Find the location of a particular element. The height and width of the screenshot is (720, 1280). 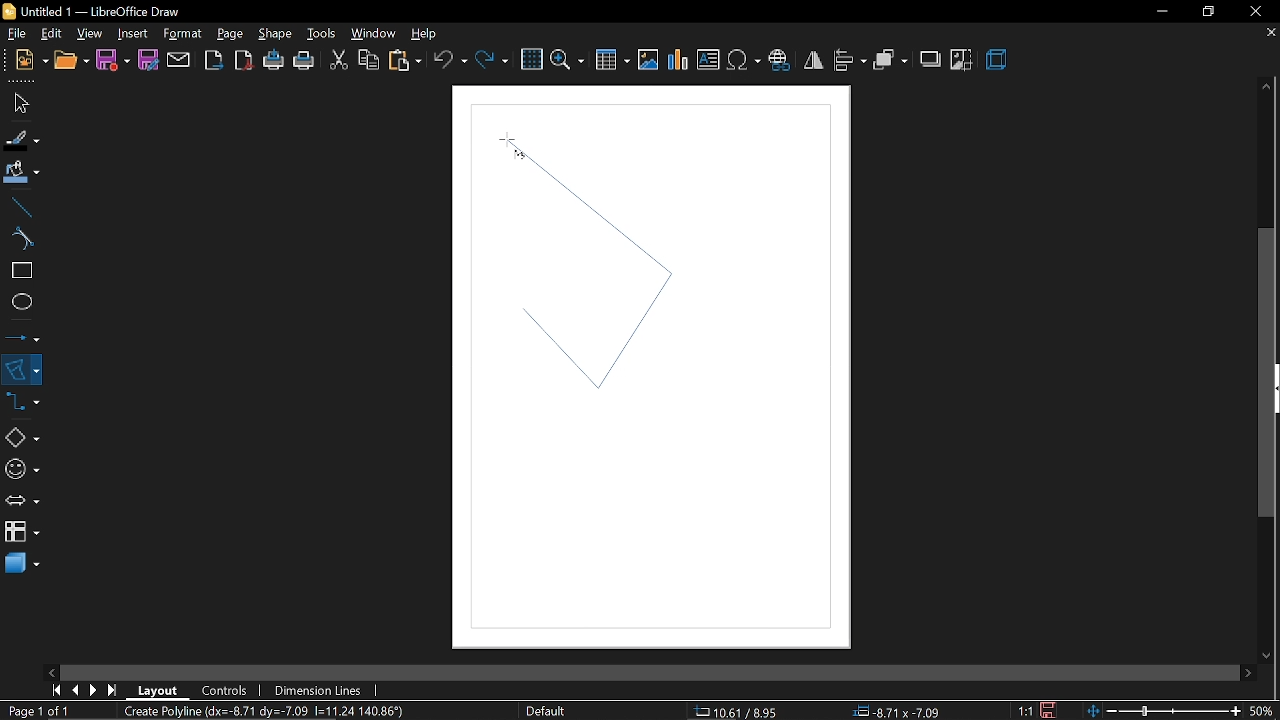

save is located at coordinates (113, 60).